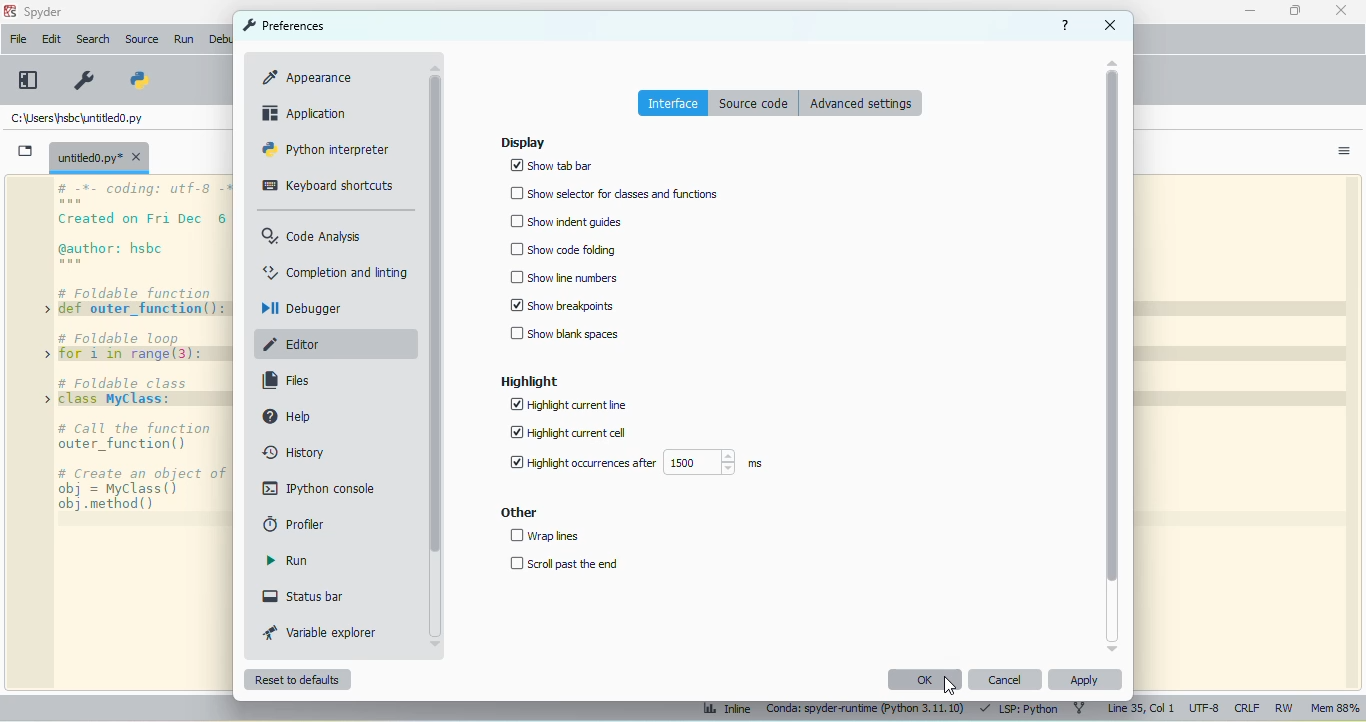  I want to click on vertical scroll bar, so click(435, 315).